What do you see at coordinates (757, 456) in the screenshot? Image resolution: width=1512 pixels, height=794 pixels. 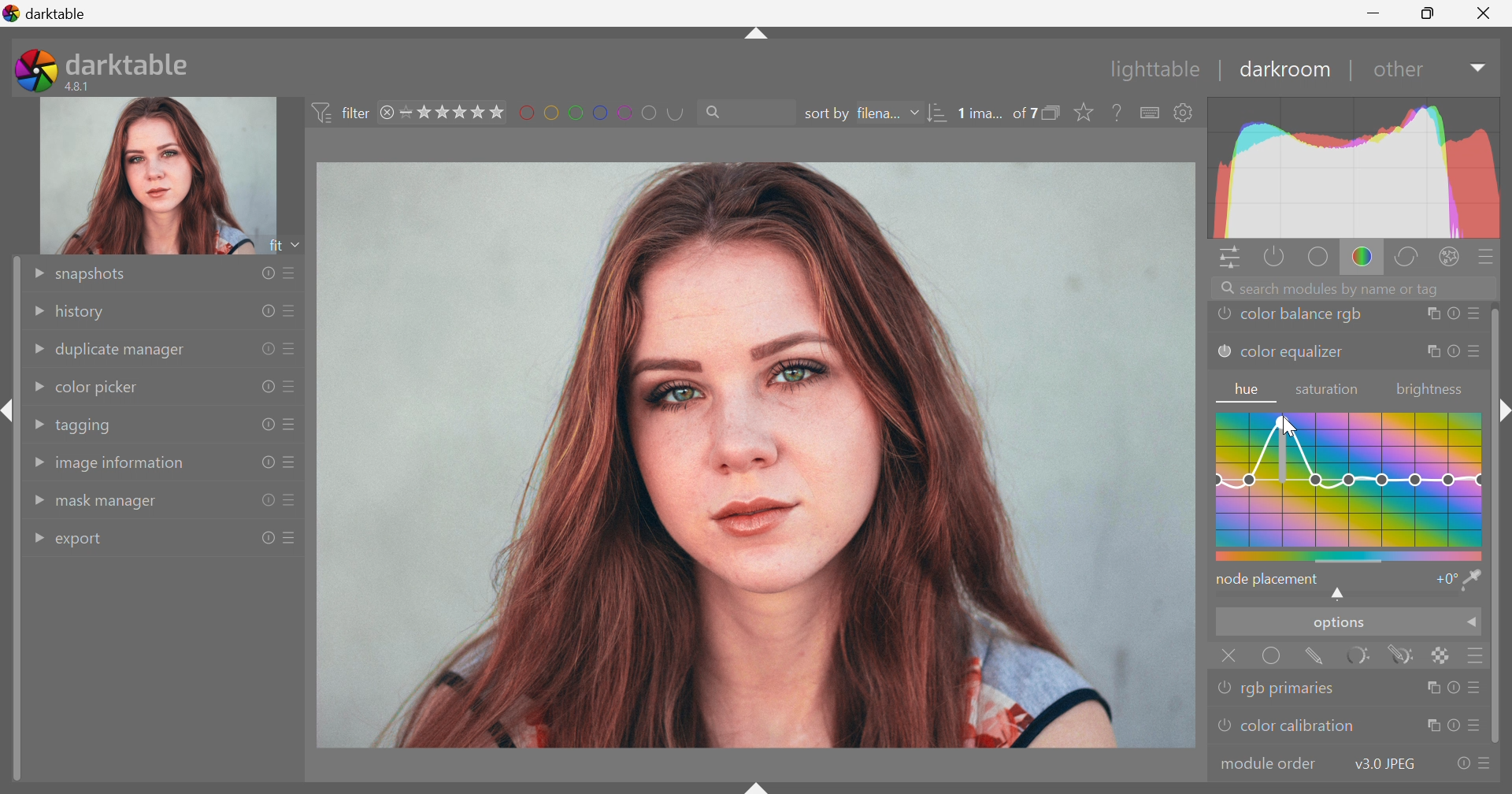 I see `image` at bounding box center [757, 456].